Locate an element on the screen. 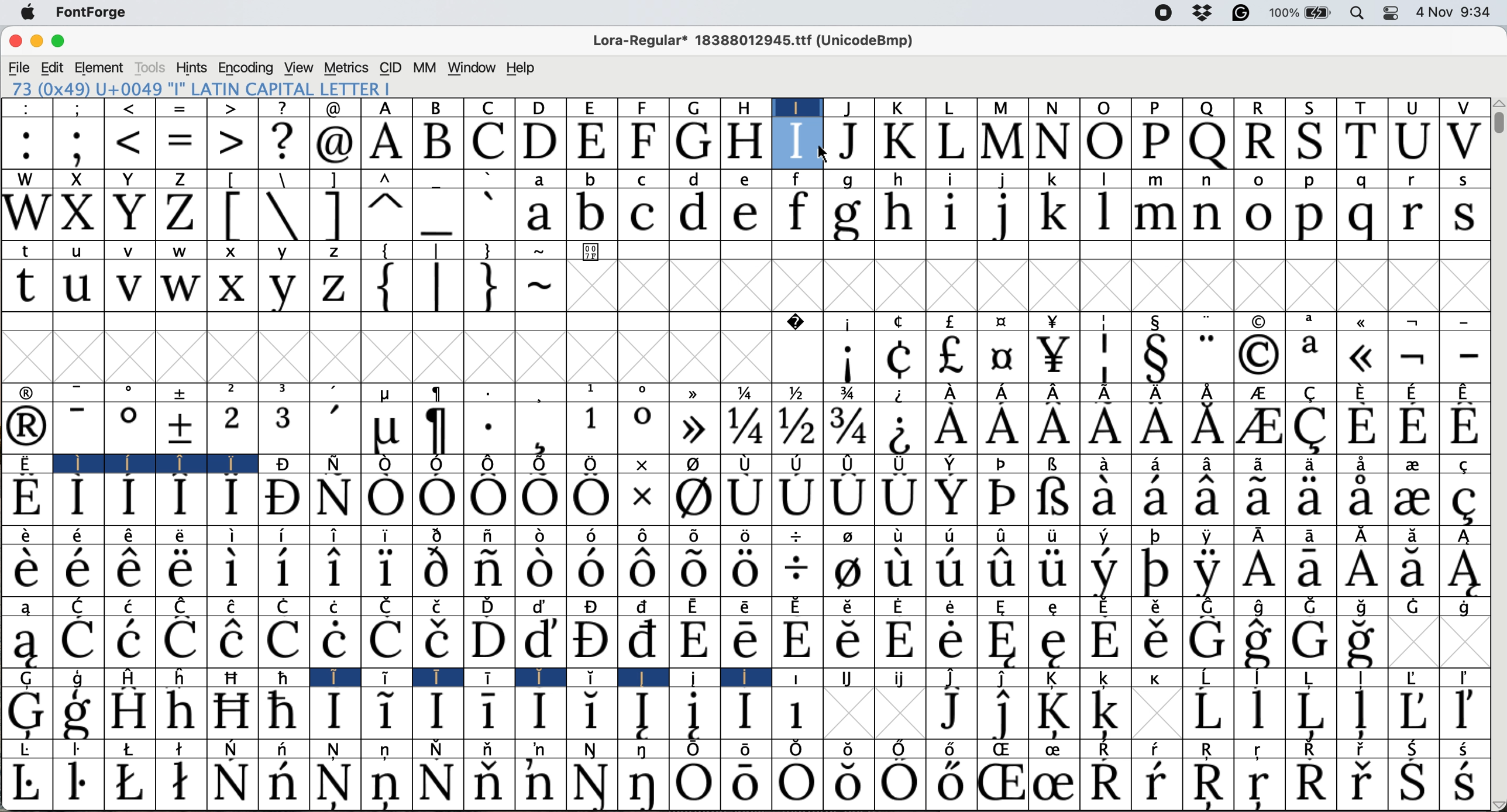  Symbol is located at coordinates (1258, 355).